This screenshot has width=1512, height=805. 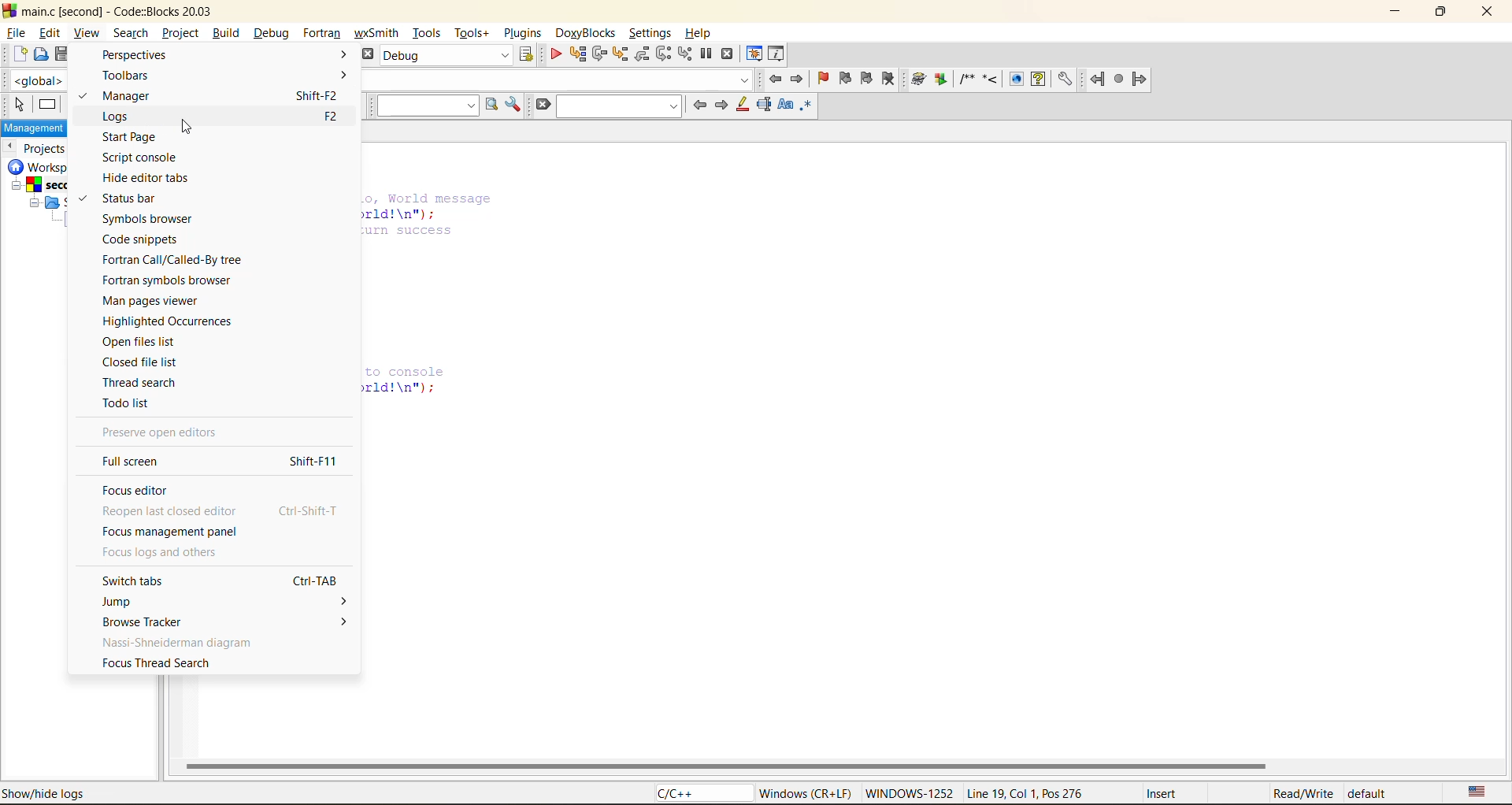 I want to click on previous bookmark, so click(x=845, y=78).